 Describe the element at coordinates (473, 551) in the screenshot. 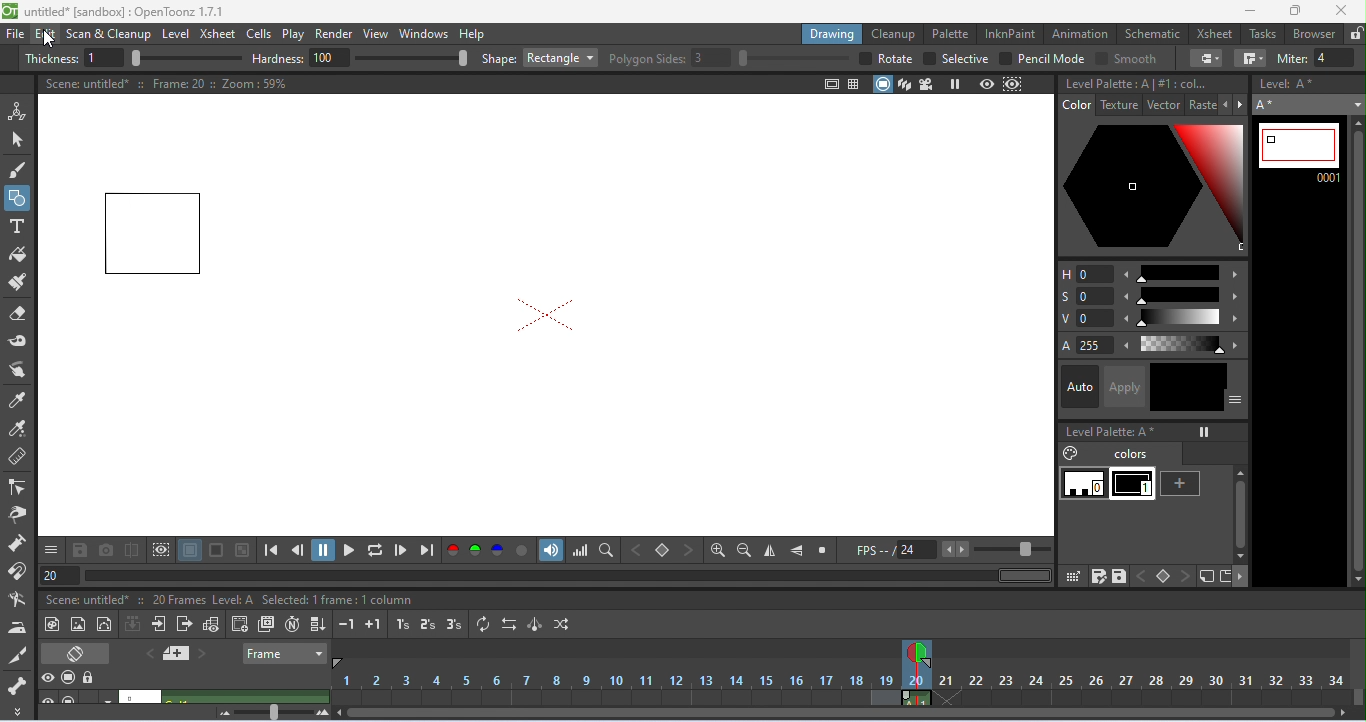

I see `green channel` at that location.